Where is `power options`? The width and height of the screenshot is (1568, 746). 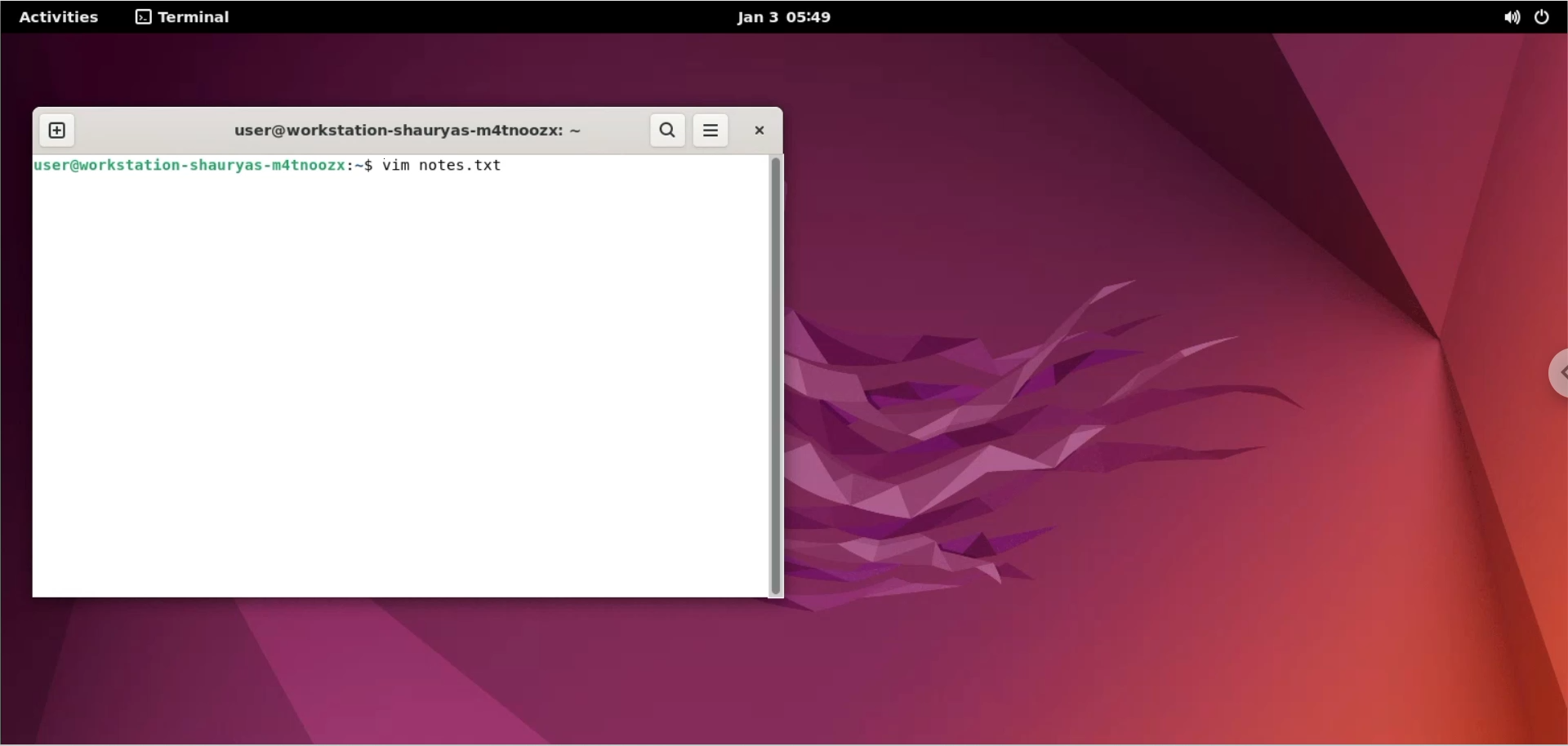
power options is located at coordinates (1546, 20).